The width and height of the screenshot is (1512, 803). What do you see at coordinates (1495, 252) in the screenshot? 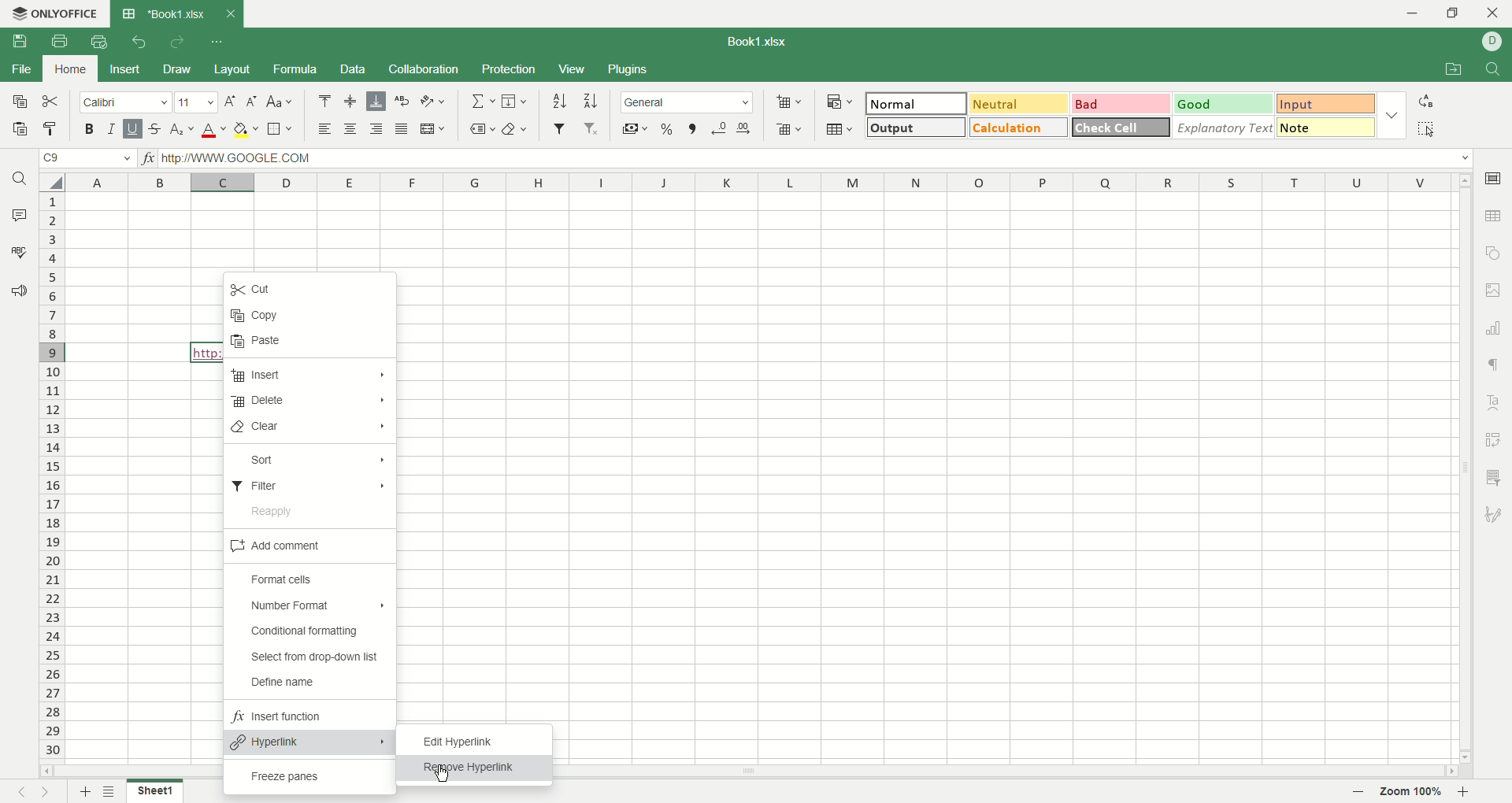
I see `object option` at bounding box center [1495, 252].